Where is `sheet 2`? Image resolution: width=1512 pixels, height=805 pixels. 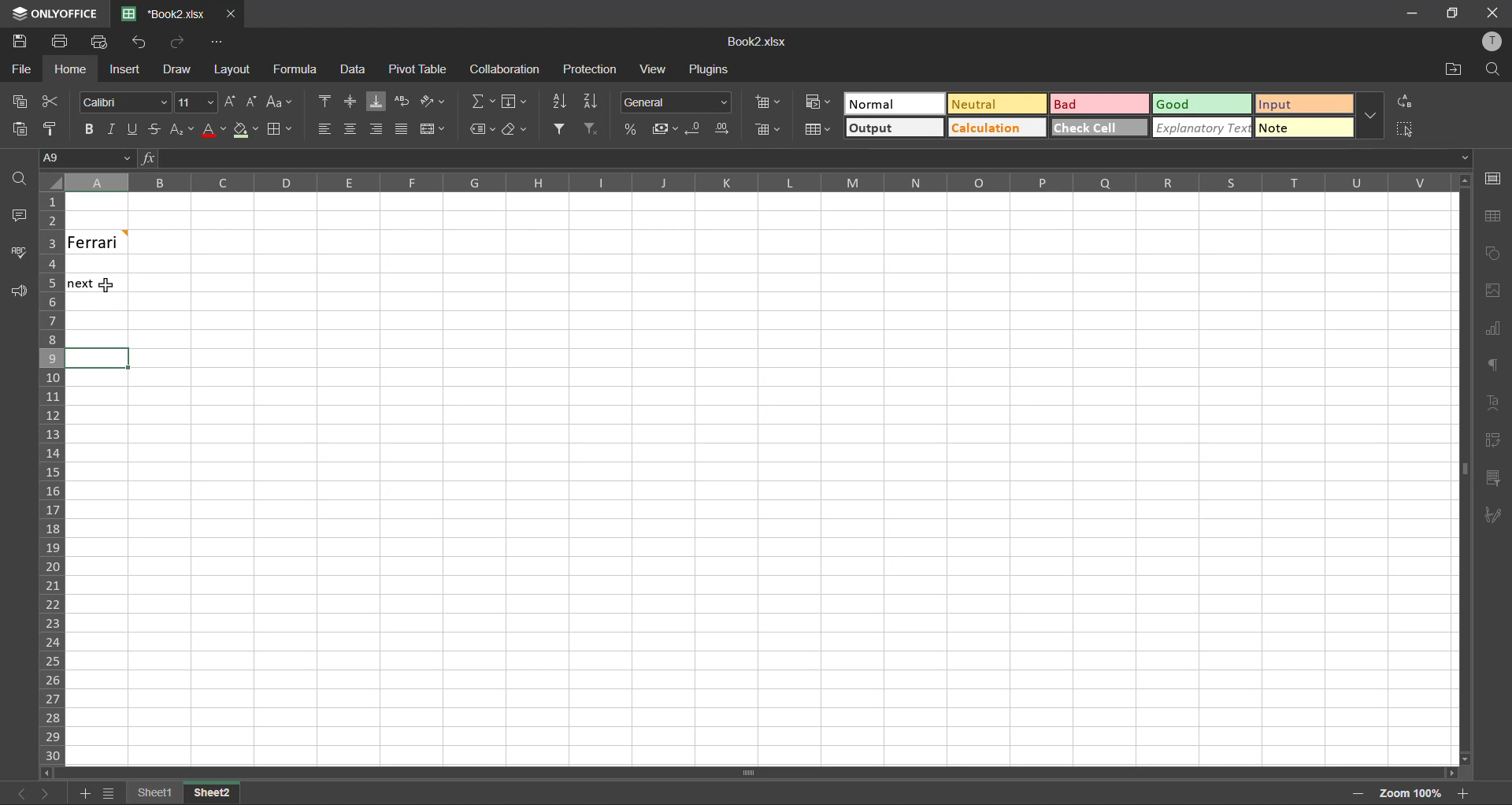 sheet 2 is located at coordinates (228, 794).